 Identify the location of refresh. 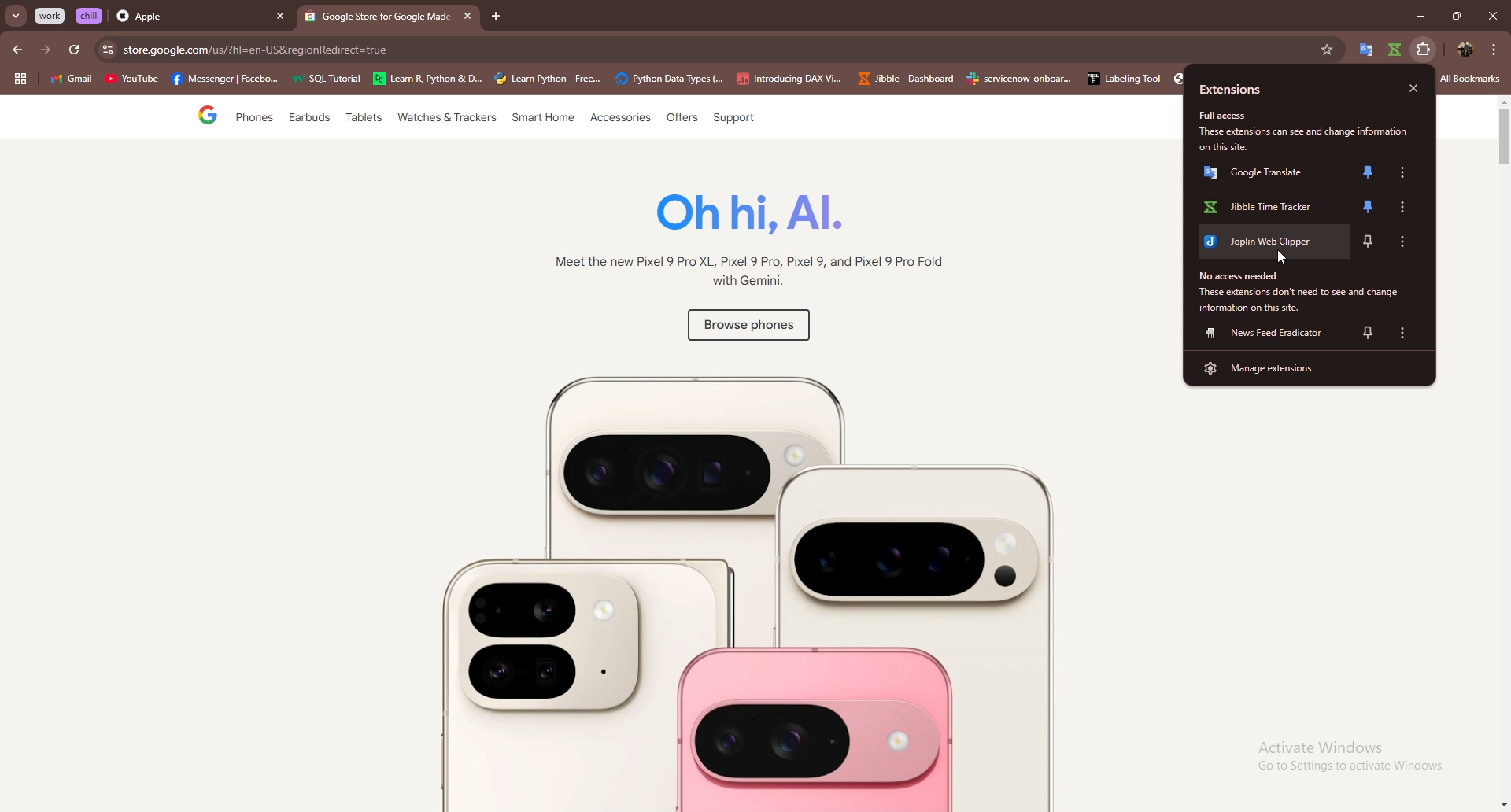
(74, 50).